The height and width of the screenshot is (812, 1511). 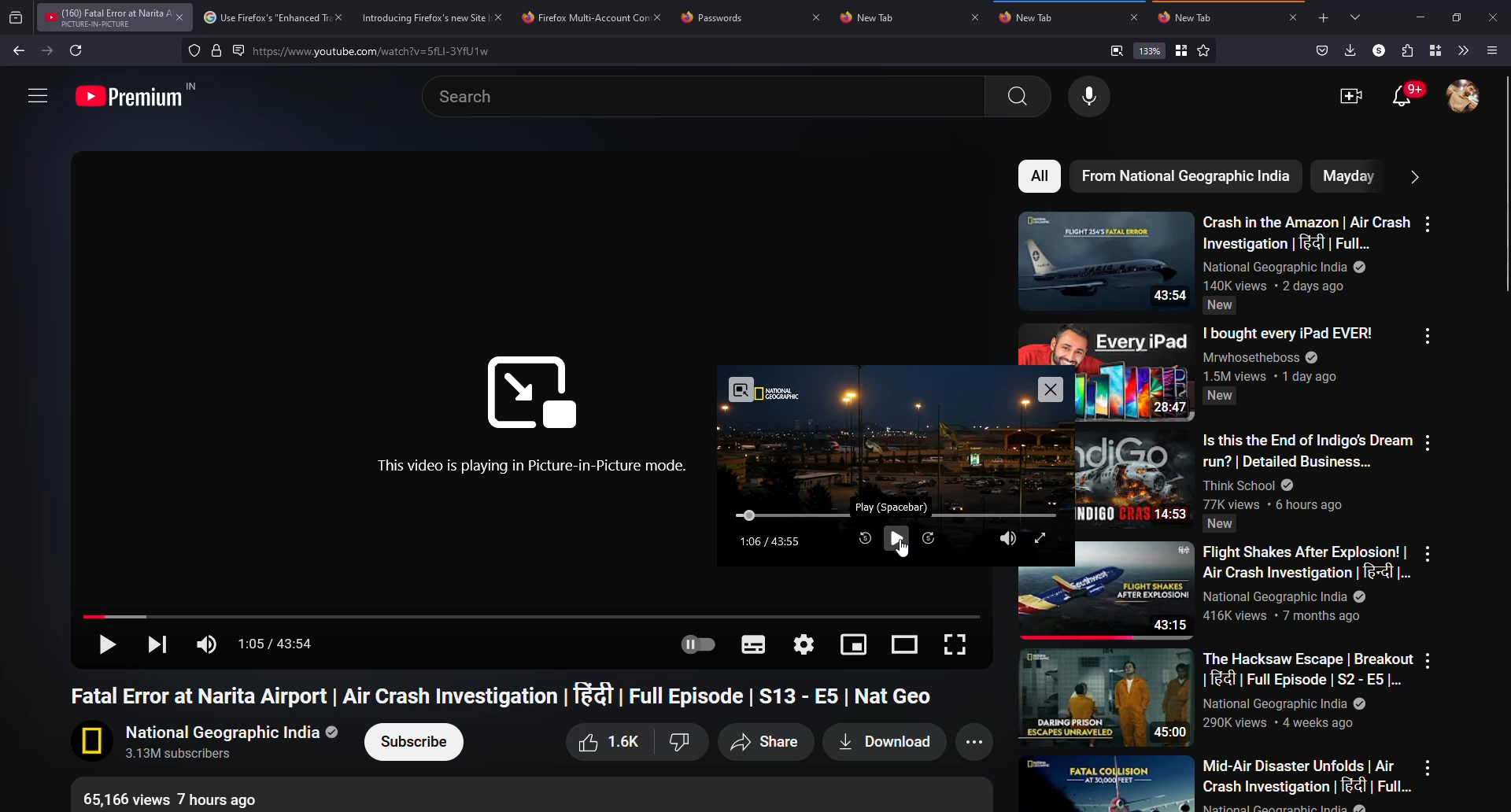 I want to click on close, so click(x=1496, y=17).